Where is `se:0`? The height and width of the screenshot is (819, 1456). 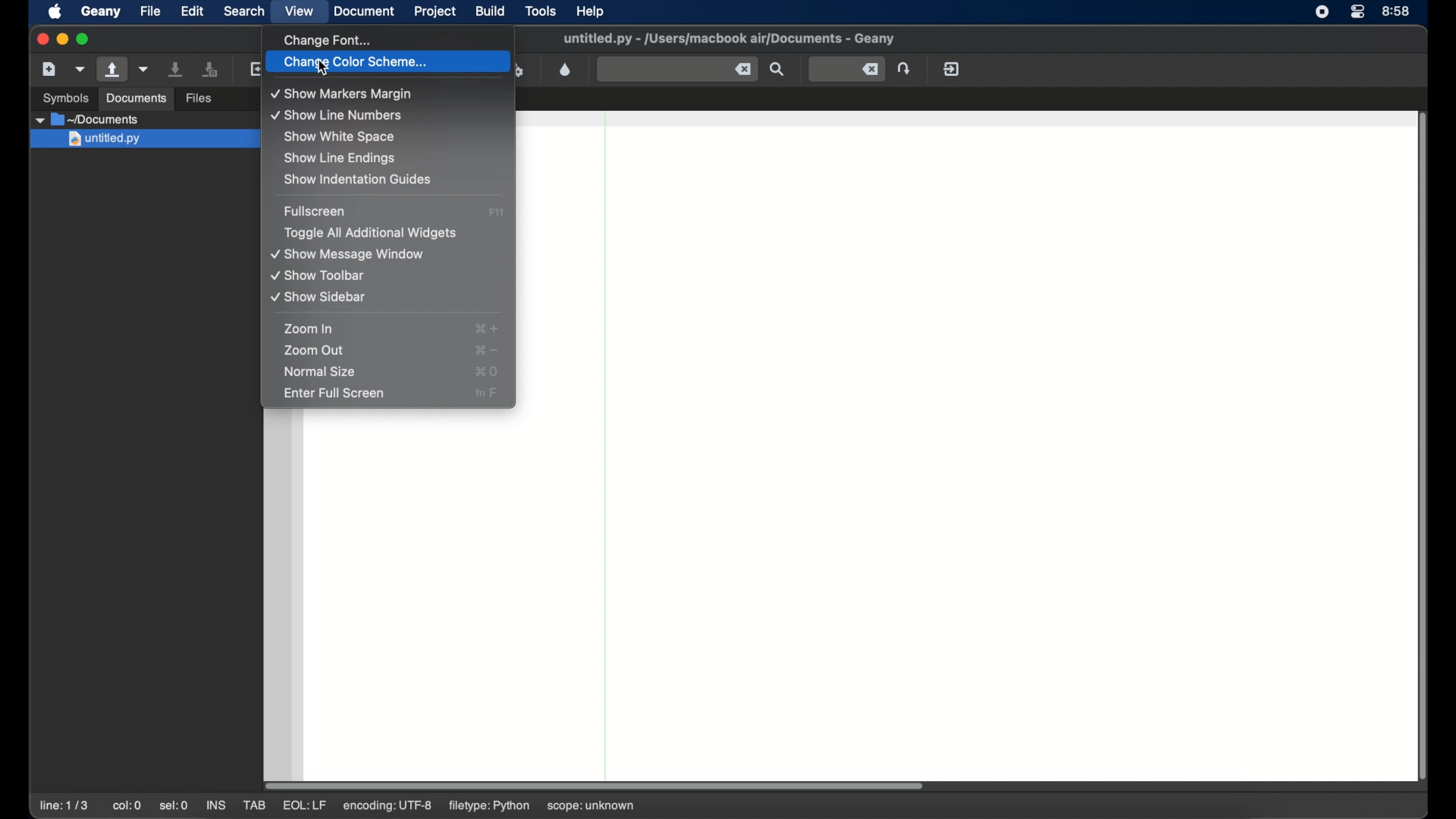 se:0 is located at coordinates (174, 805).